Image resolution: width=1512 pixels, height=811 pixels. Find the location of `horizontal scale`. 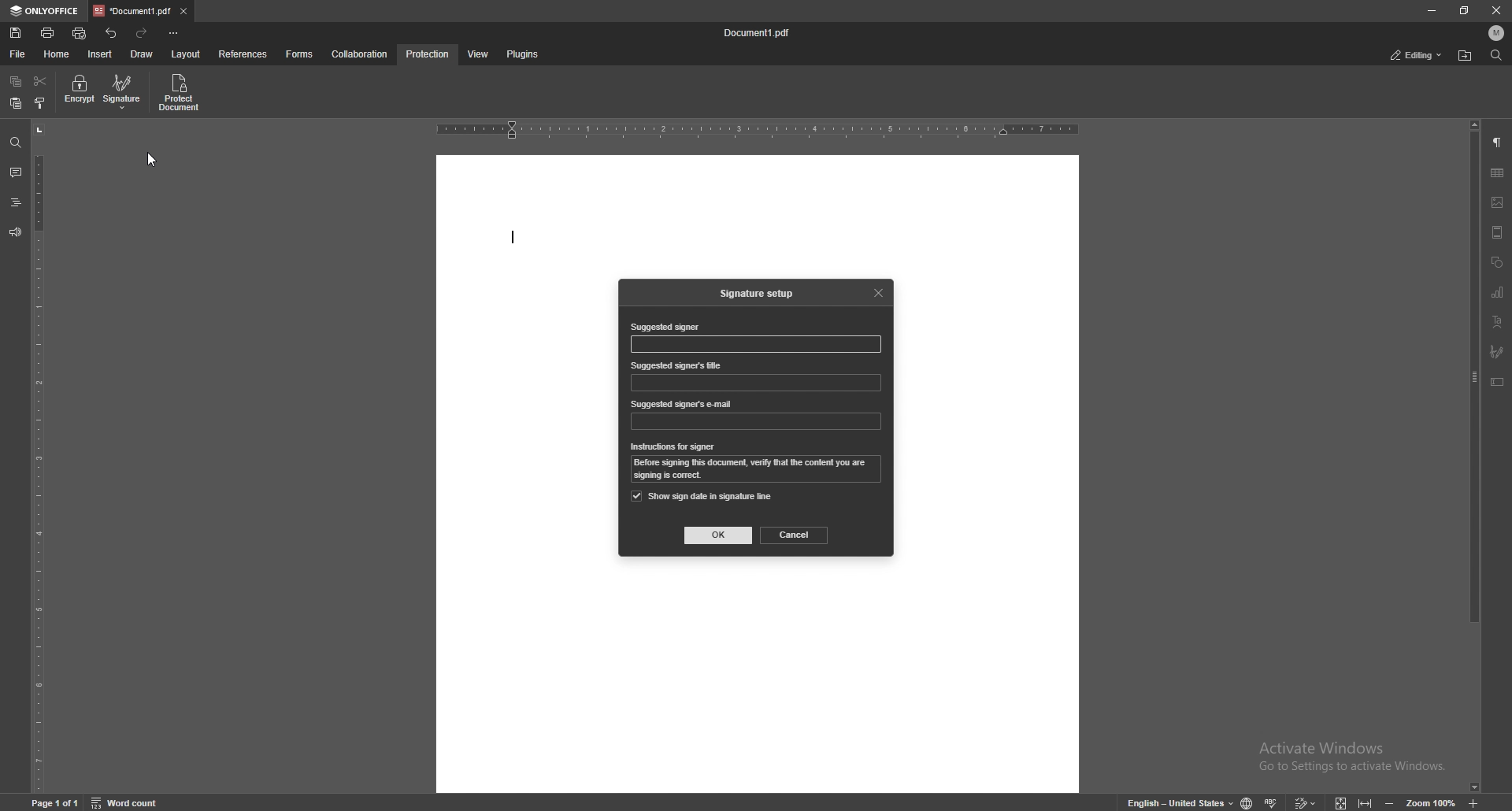

horizontal scale is located at coordinates (758, 131).